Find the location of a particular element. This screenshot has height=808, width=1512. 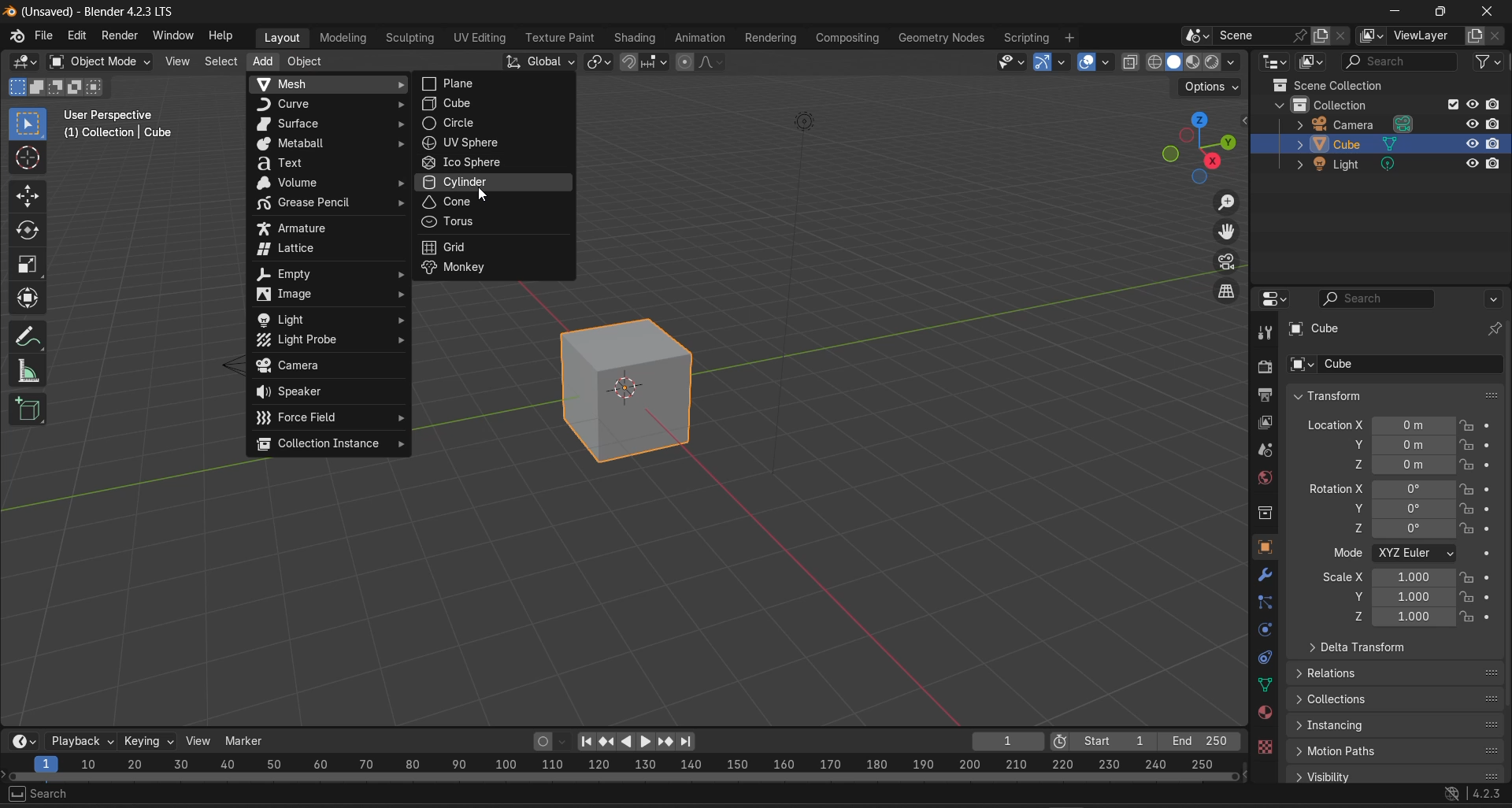

cube is located at coordinates (634, 391).